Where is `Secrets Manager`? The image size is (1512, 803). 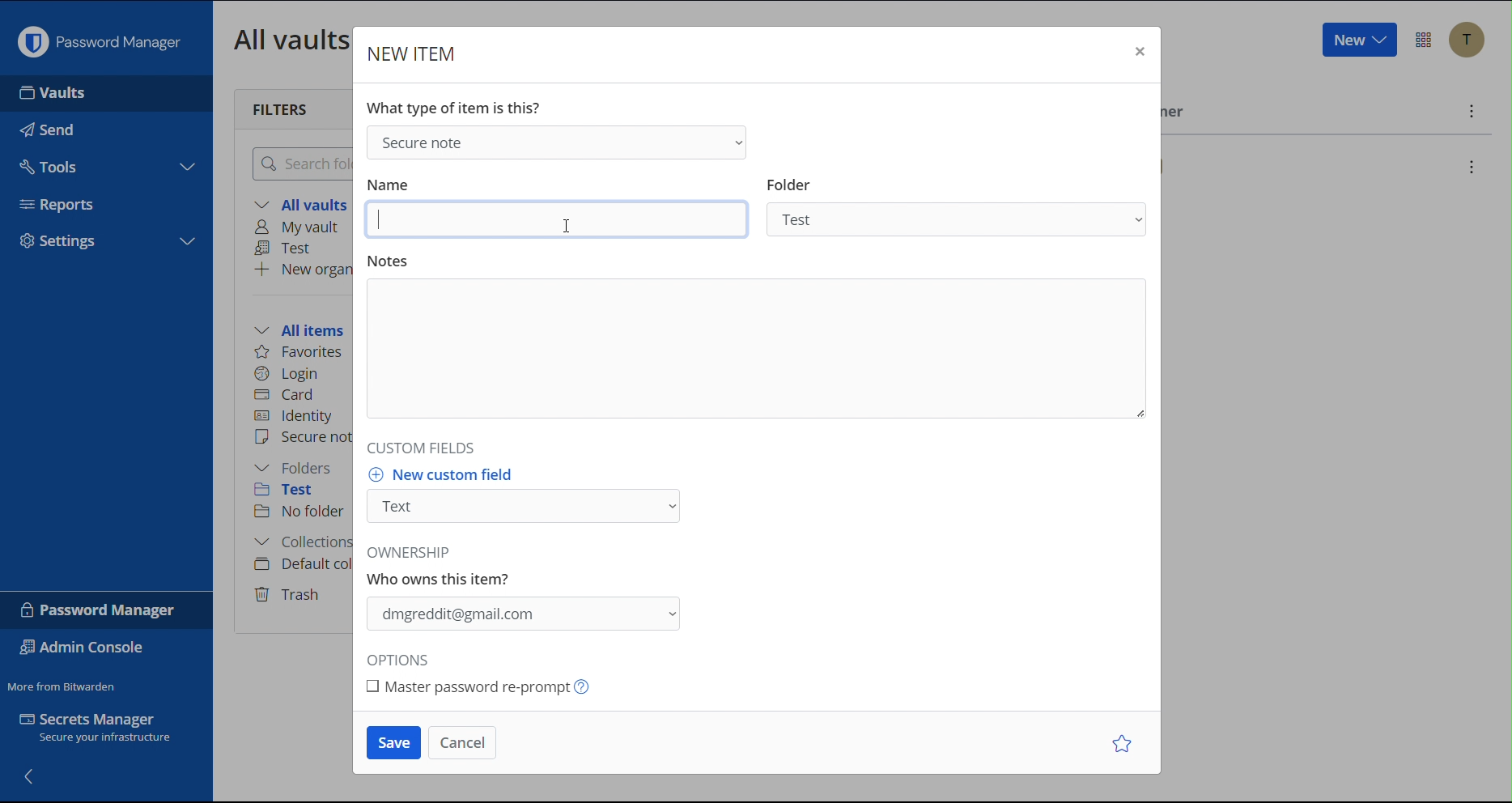 Secrets Manager is located at coordinates (105, 731).